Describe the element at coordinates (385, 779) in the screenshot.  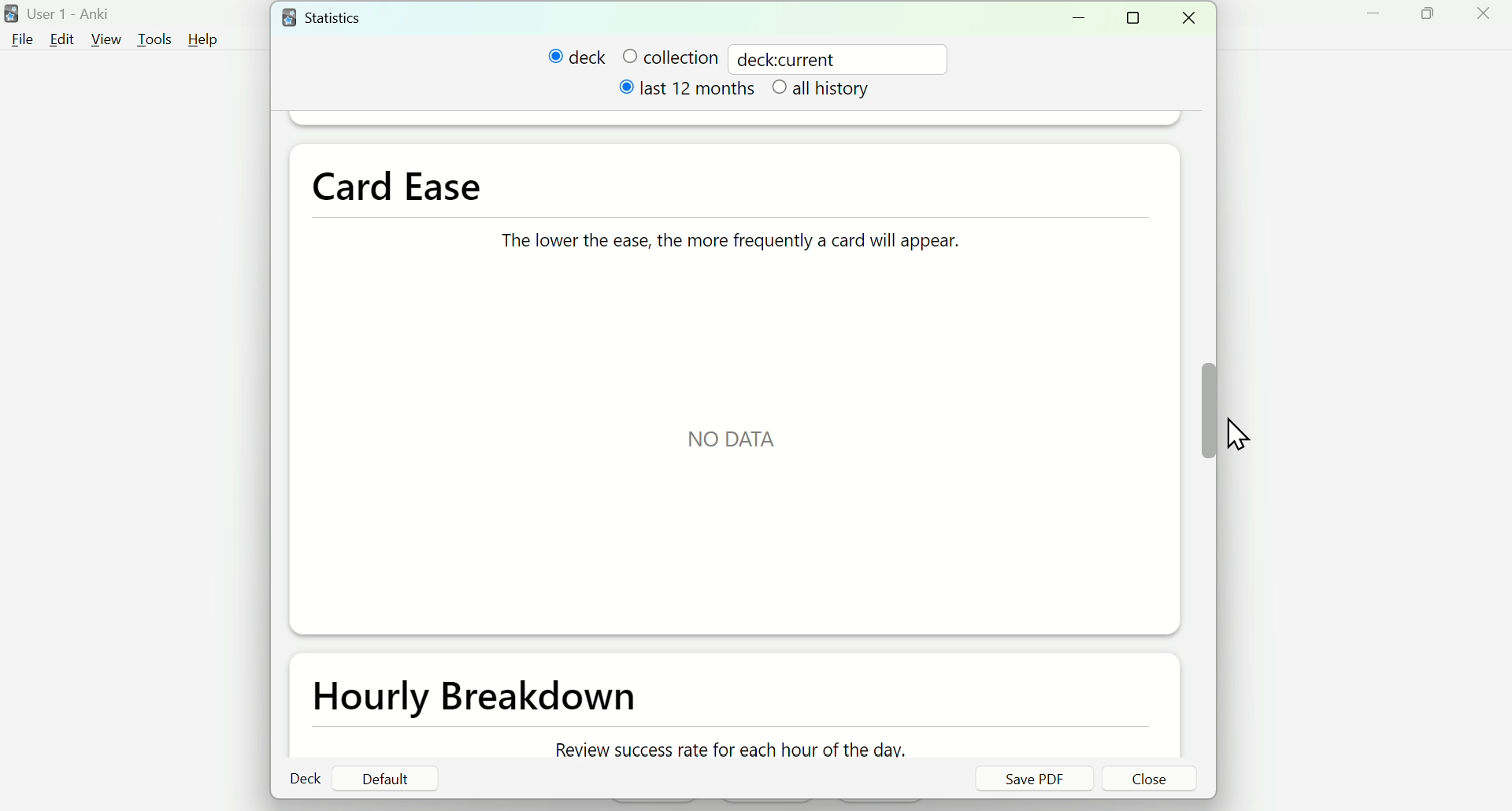
I see `Default` at that location.